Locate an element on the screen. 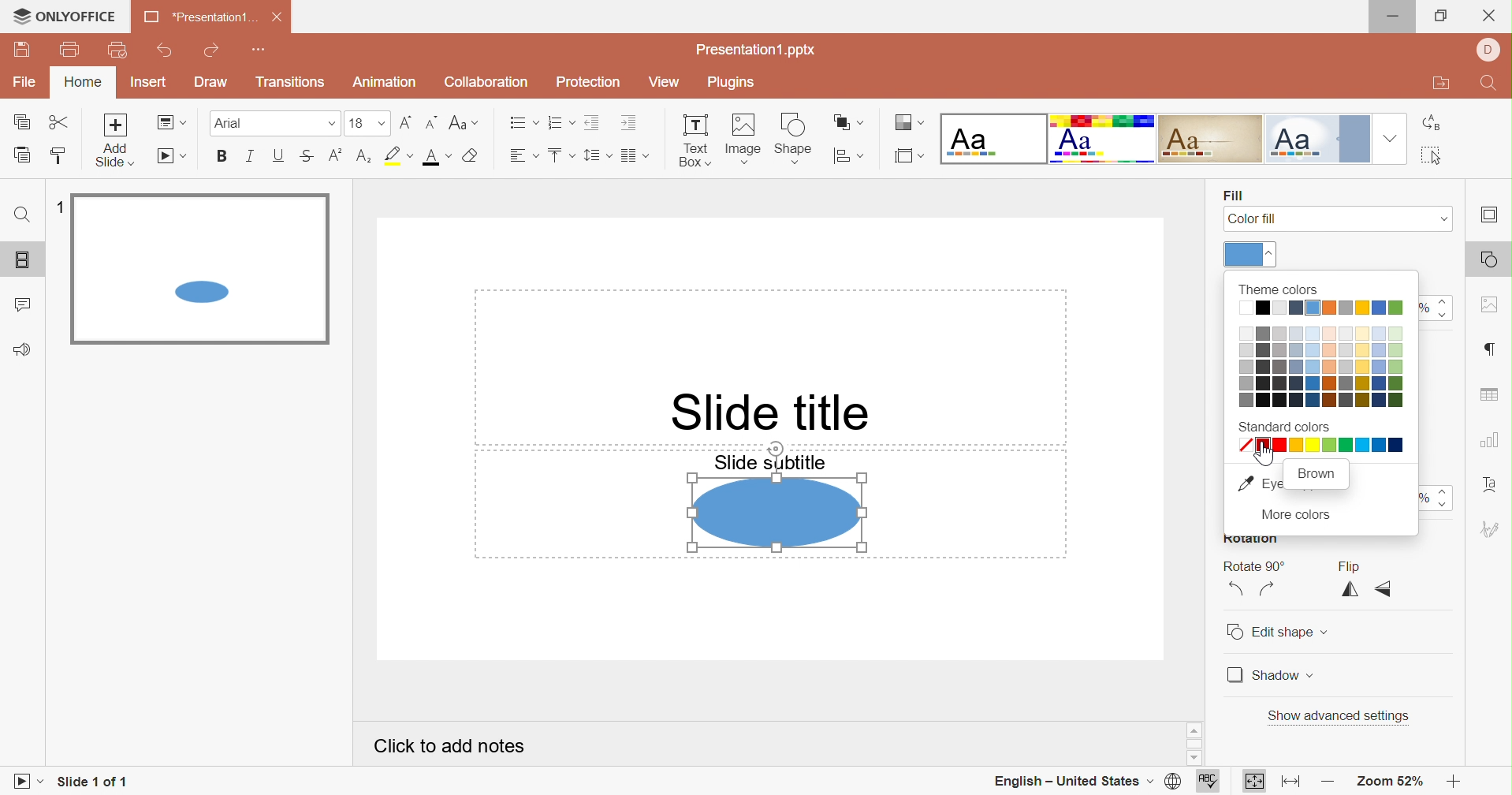 Image resolution: width=1512 pixels, height=795 pixels. Increment font size is located at coordinates (404, 121).